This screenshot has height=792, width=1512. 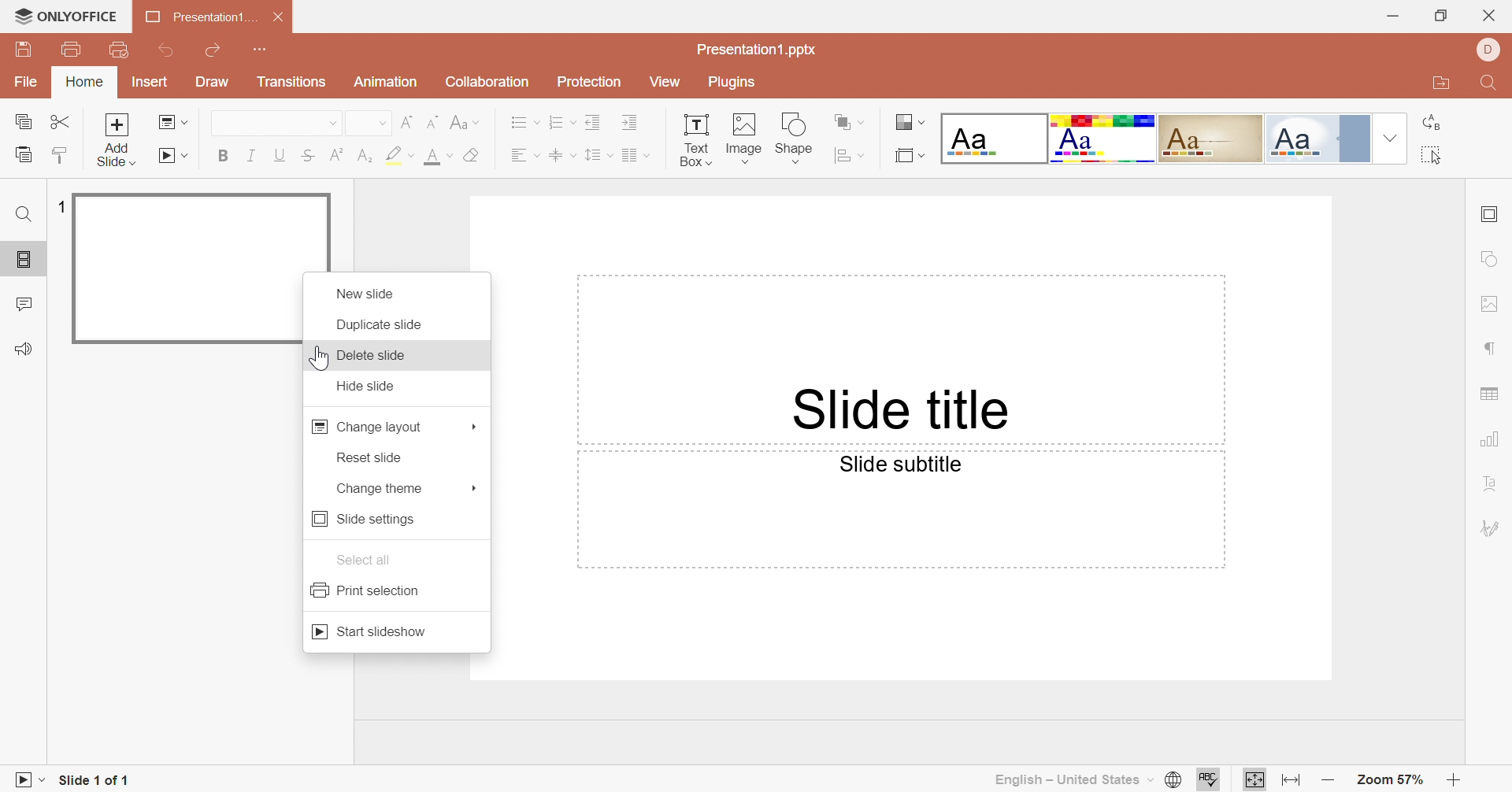 What do you see at coordinates (184, 122) in the screenshot?
I see `Drop Down` at bounding box center [184, 122].